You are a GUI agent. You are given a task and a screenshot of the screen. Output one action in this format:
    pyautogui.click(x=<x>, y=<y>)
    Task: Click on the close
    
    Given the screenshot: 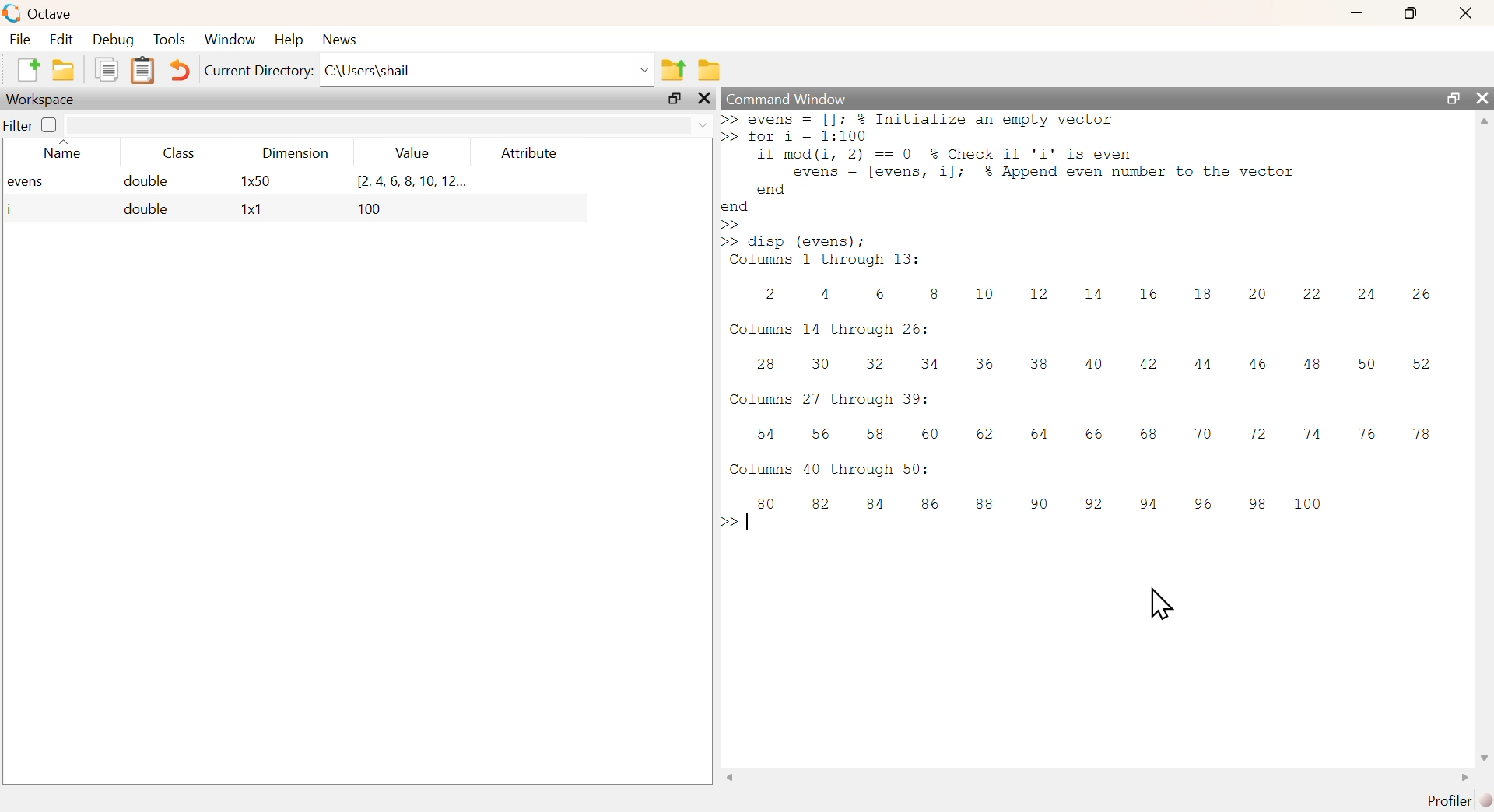 What is the action you would take?
    pyautogui.click(x=1468, y=12)
    